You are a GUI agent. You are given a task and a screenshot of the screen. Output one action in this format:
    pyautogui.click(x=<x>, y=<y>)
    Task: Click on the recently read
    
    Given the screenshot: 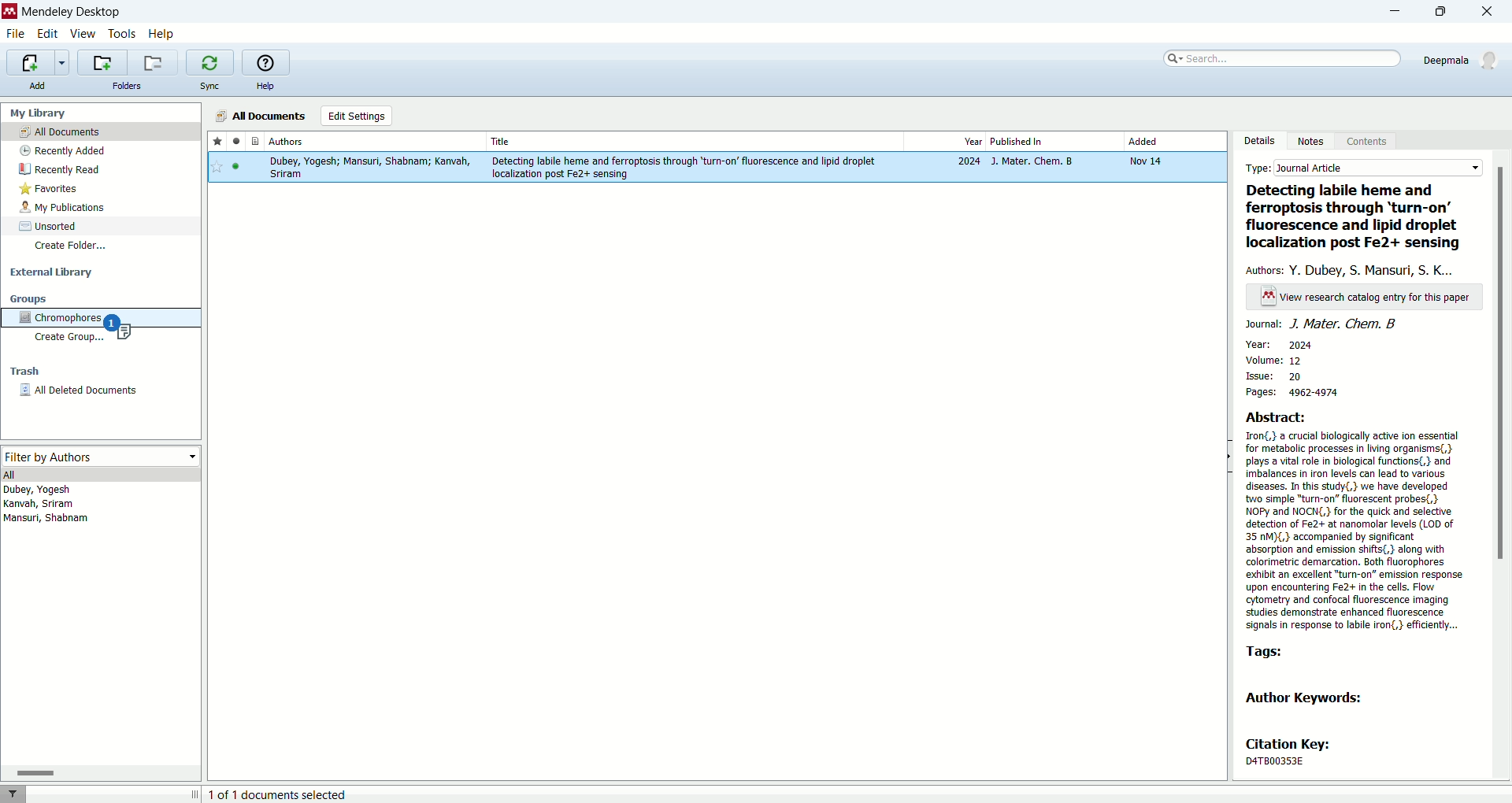 What is the action you would take?
    pyautogui.click(x=60, y=171)
    